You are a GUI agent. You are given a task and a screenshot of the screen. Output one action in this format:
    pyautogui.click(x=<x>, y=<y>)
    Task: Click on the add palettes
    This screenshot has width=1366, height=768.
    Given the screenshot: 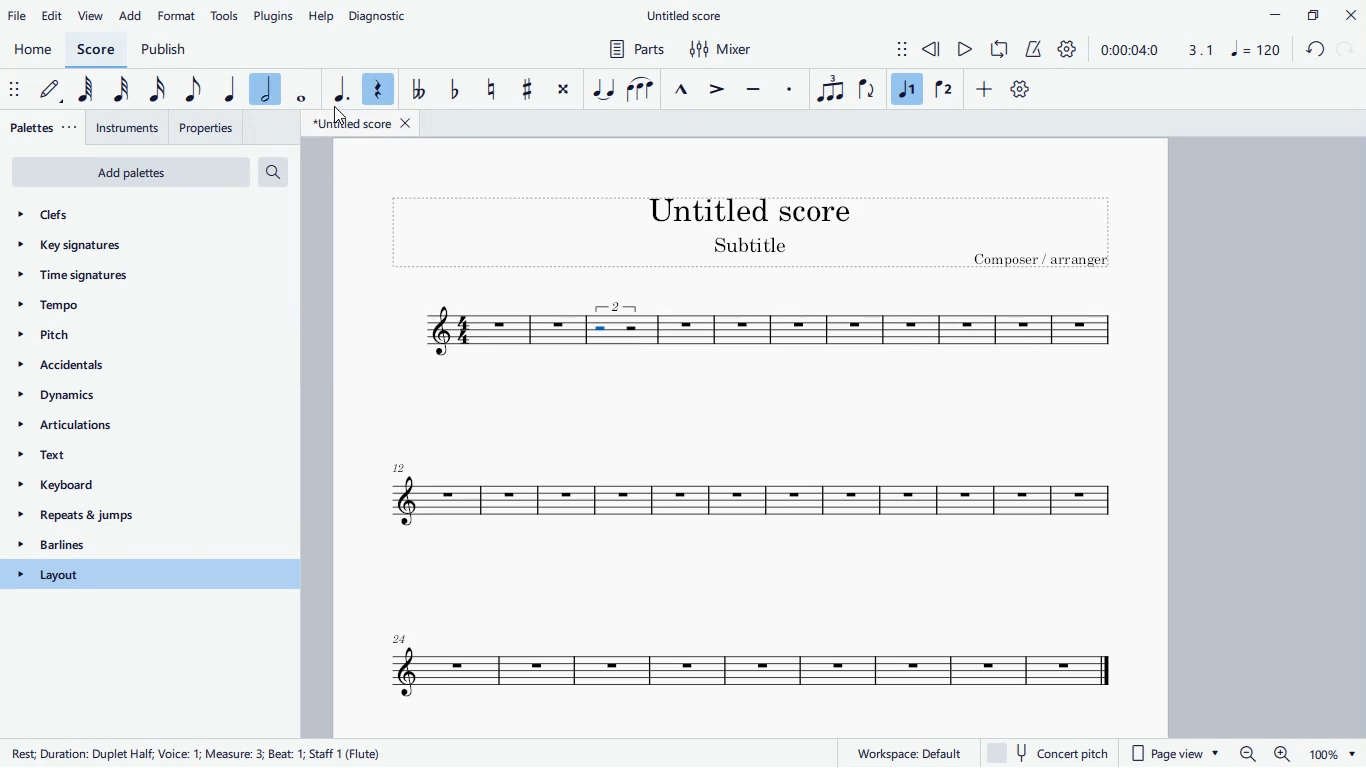 What is the action you would take?
    pyautogui.click(x=131, y=174)
    